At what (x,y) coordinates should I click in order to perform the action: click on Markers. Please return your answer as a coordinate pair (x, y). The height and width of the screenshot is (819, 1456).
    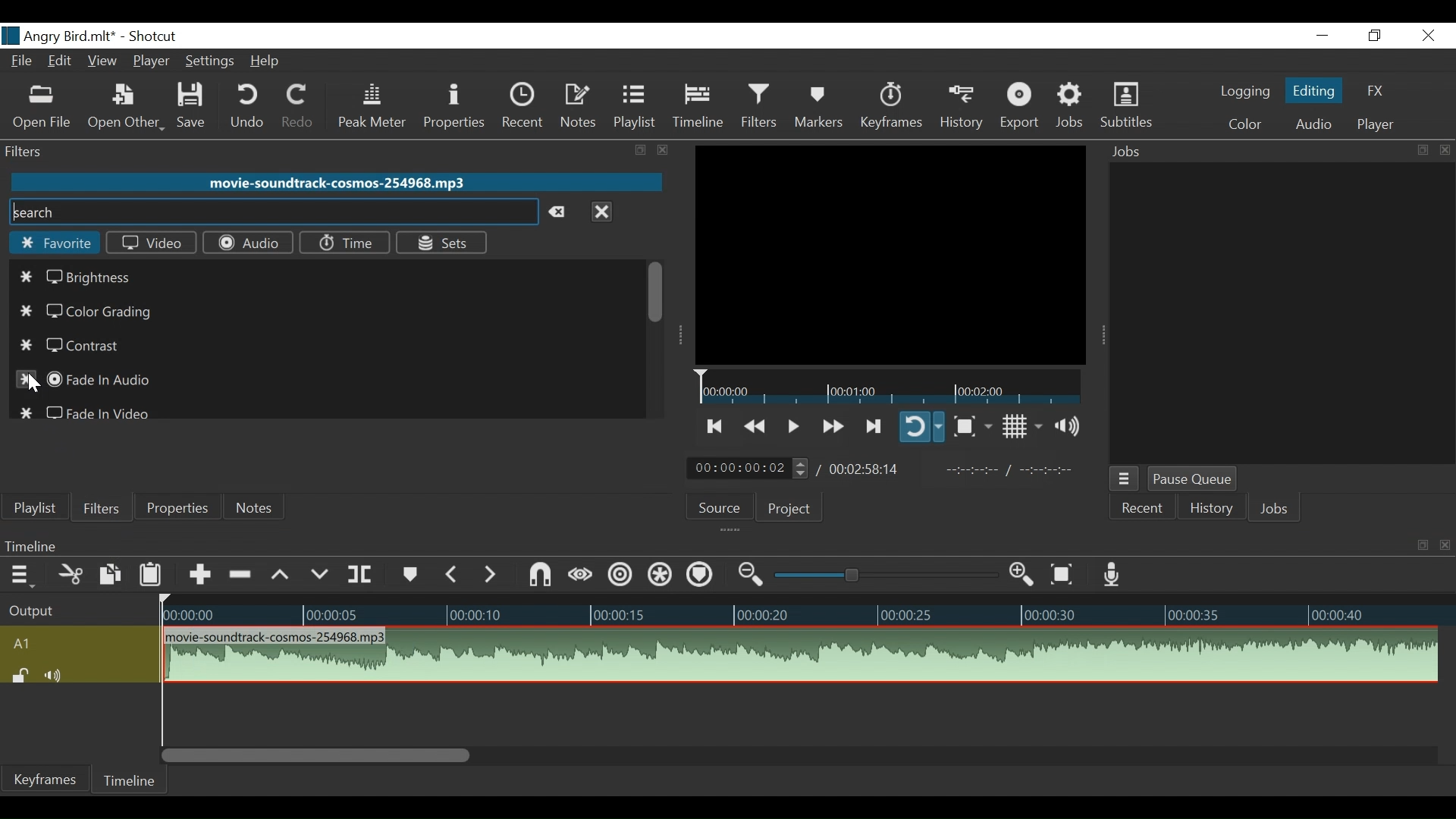
    Looking at the image, I should click on (818, 105).